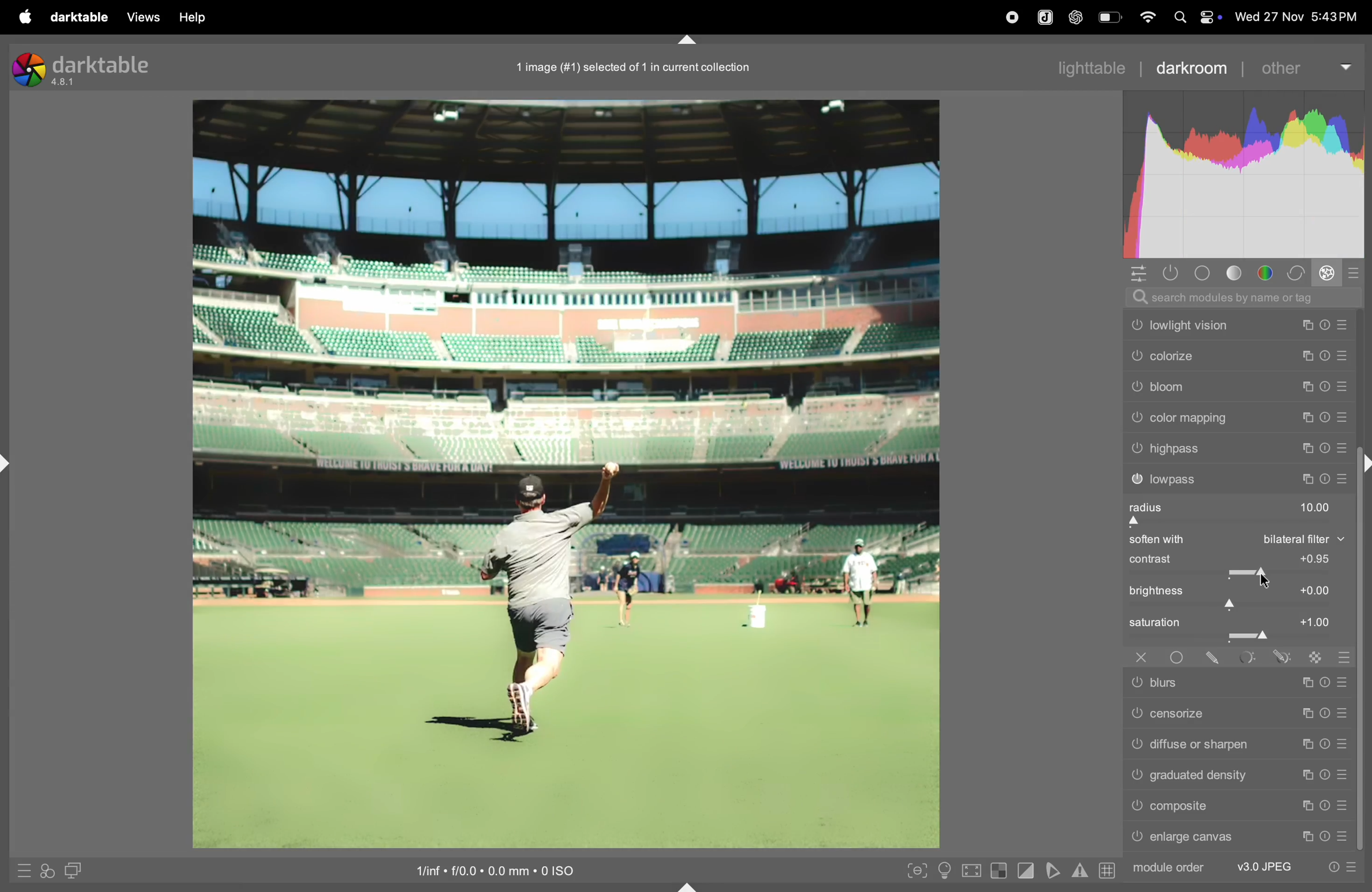 This screenshot has width=1372, height=892. I want to click on darkroom, so click(1190, 67).